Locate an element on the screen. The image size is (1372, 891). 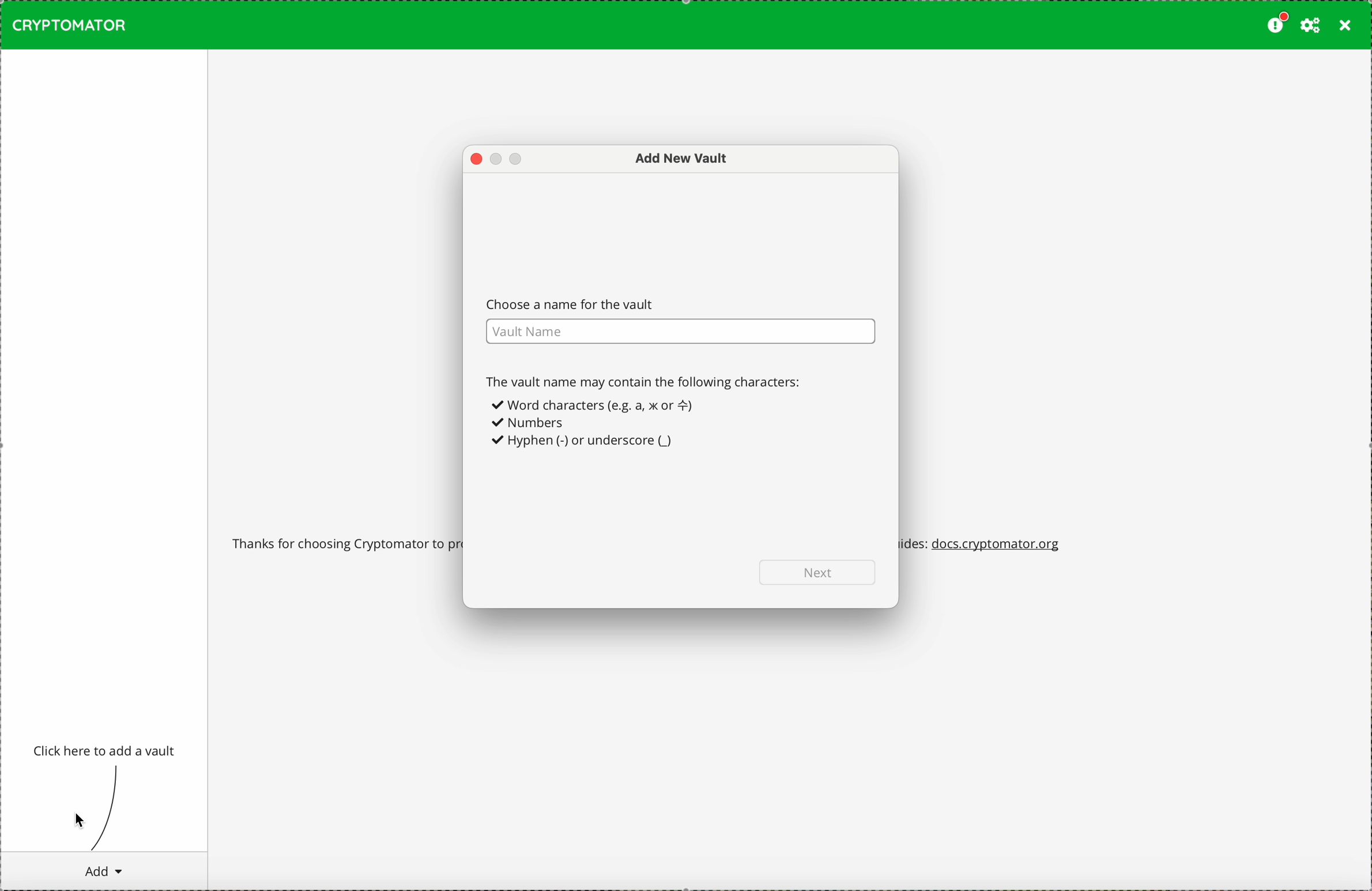
pointer is located at coordinates (82, 821).